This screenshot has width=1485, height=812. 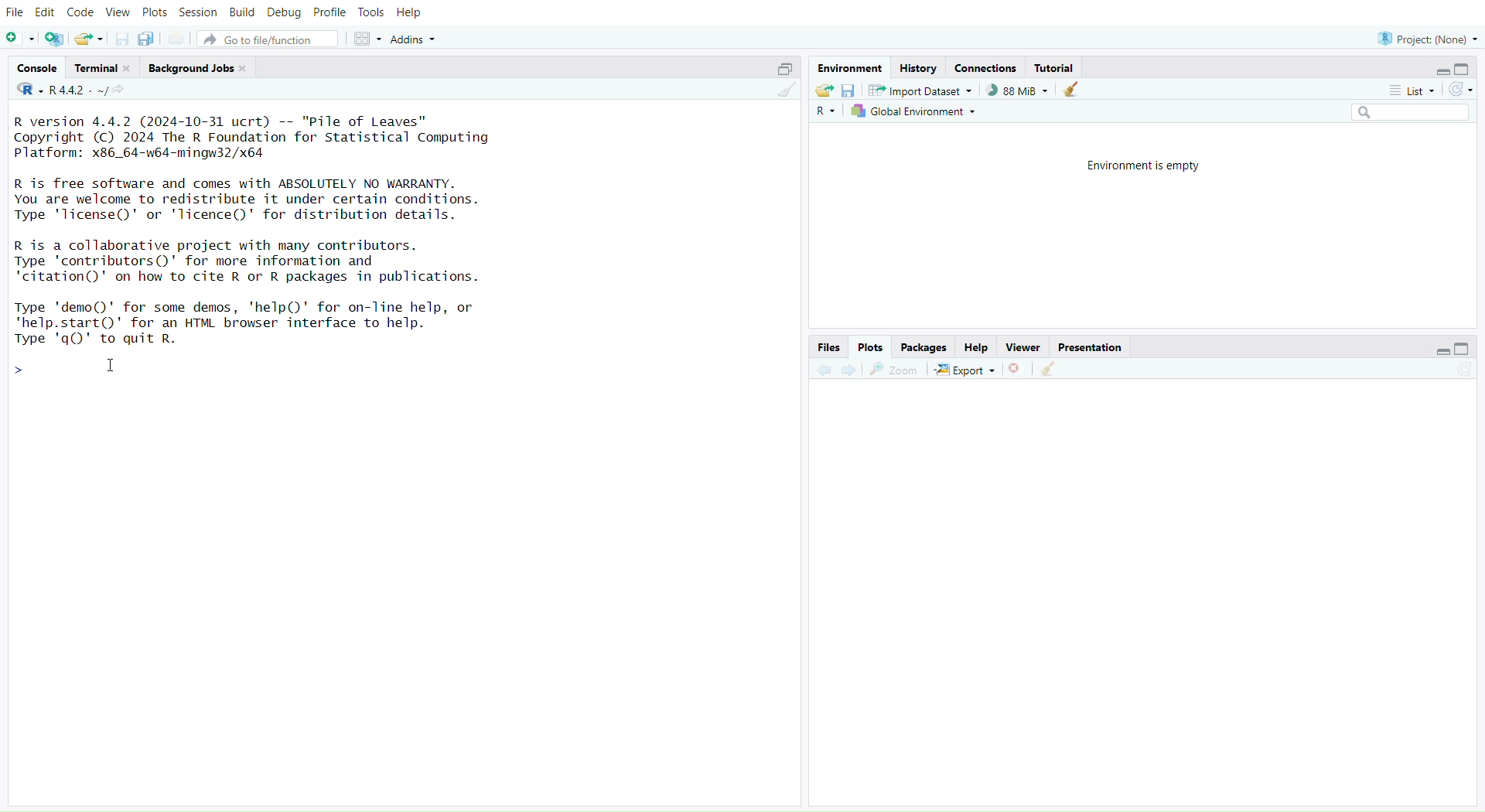 I want to click on viewer, so click(x=1025, y=346).